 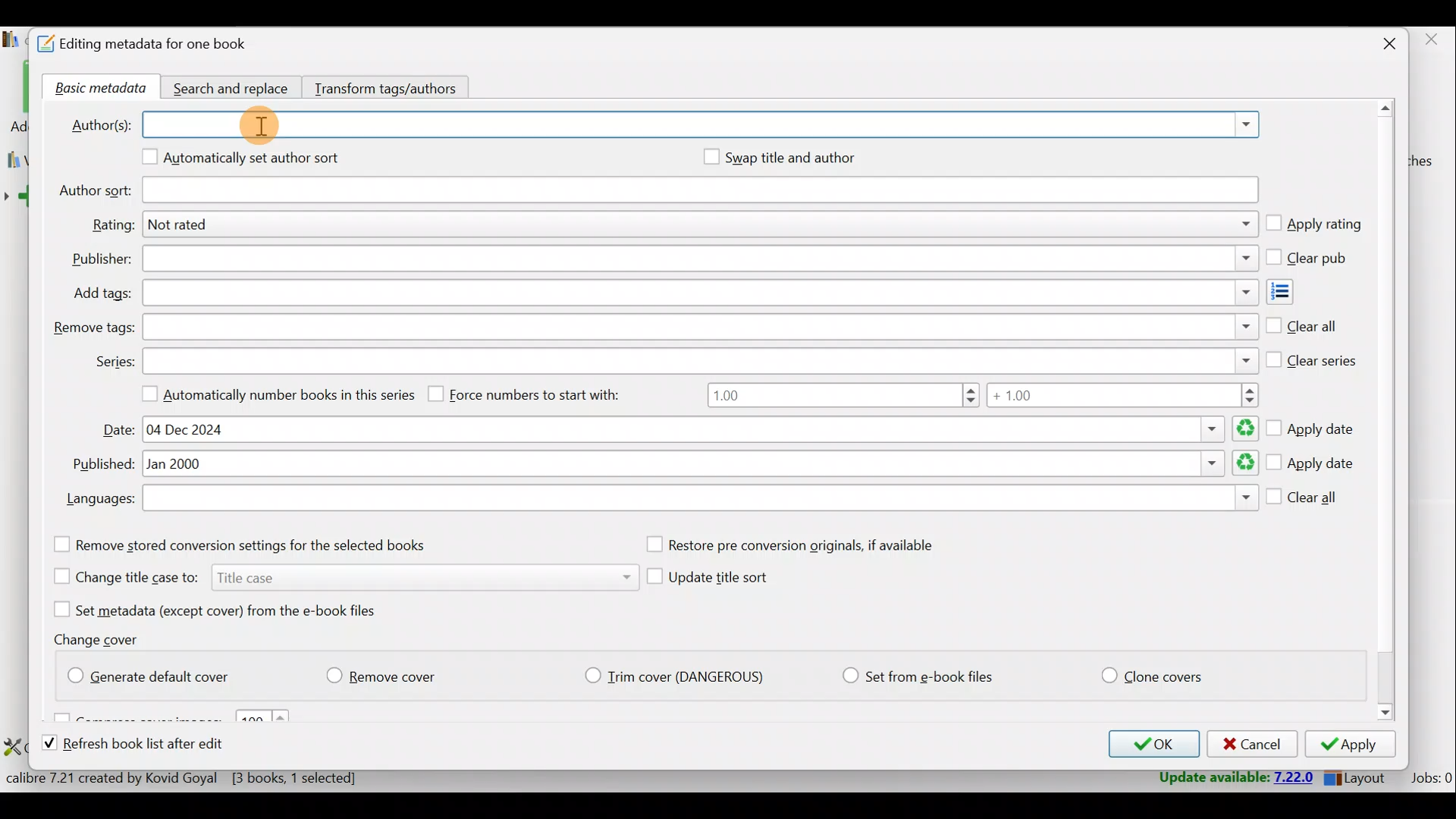 What do you see at coordinates (147, 745) in the screenshot?
I see `Refresh book list after edit` at bounding box center [147, 745].